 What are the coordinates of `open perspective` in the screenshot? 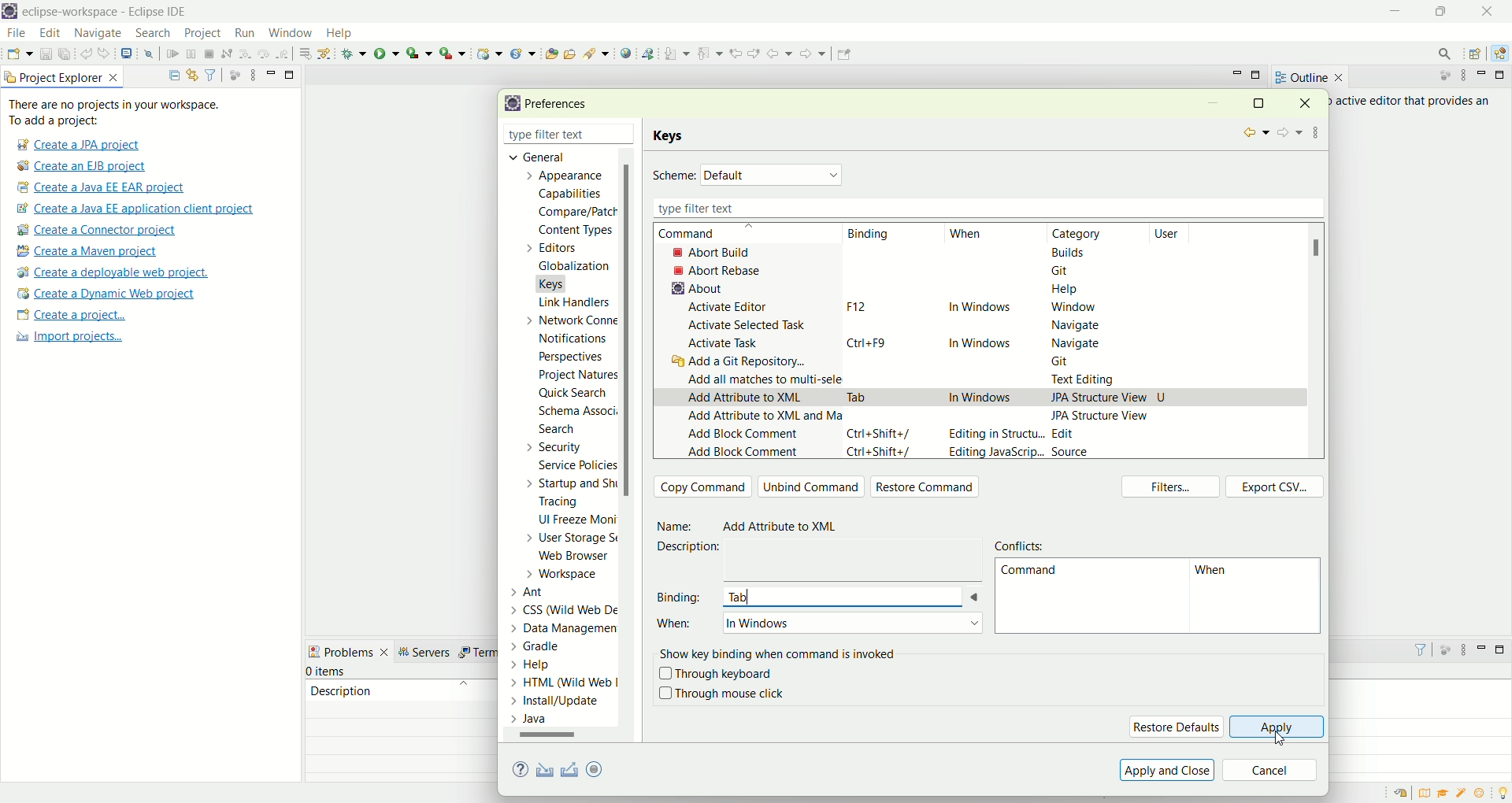 It's located at (1477, 55).